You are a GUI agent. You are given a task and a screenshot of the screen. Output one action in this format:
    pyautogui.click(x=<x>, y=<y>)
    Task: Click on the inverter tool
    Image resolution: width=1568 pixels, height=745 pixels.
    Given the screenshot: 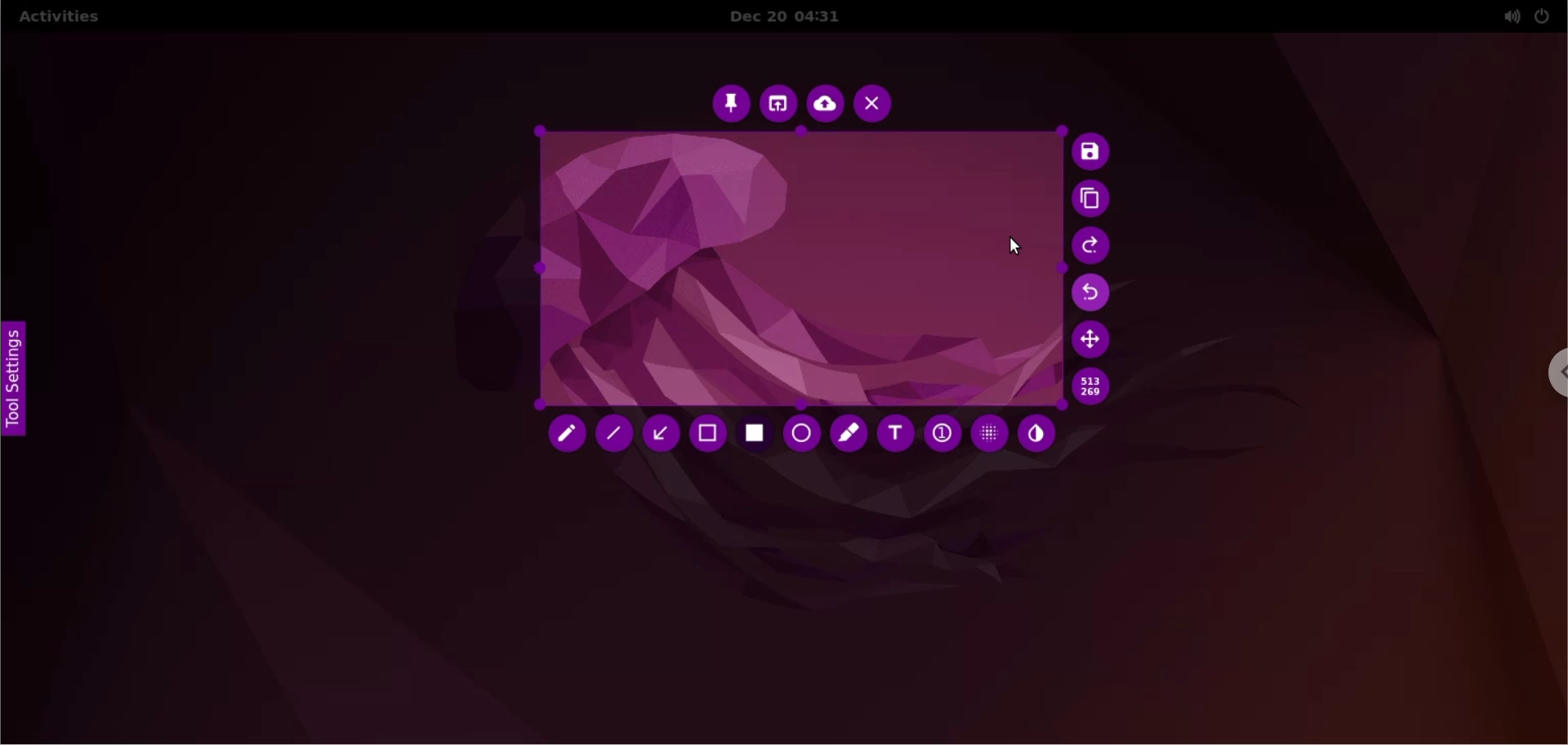 What is the action you would take?
    pyautogui.click(x=1037, y=433)
    